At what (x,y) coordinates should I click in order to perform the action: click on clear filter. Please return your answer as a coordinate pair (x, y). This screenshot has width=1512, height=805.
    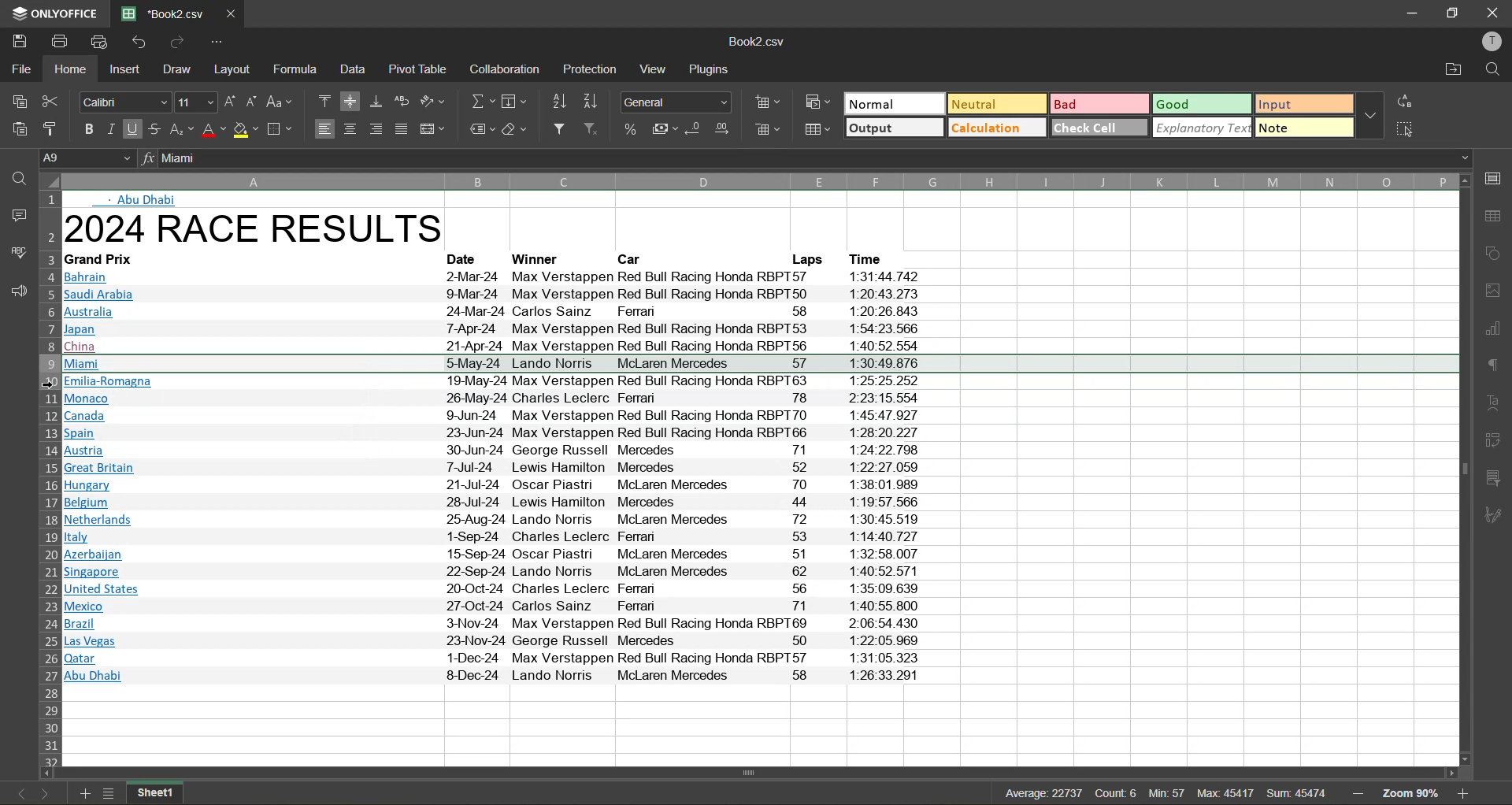
    Looking at the image, I should click on (594, 130).